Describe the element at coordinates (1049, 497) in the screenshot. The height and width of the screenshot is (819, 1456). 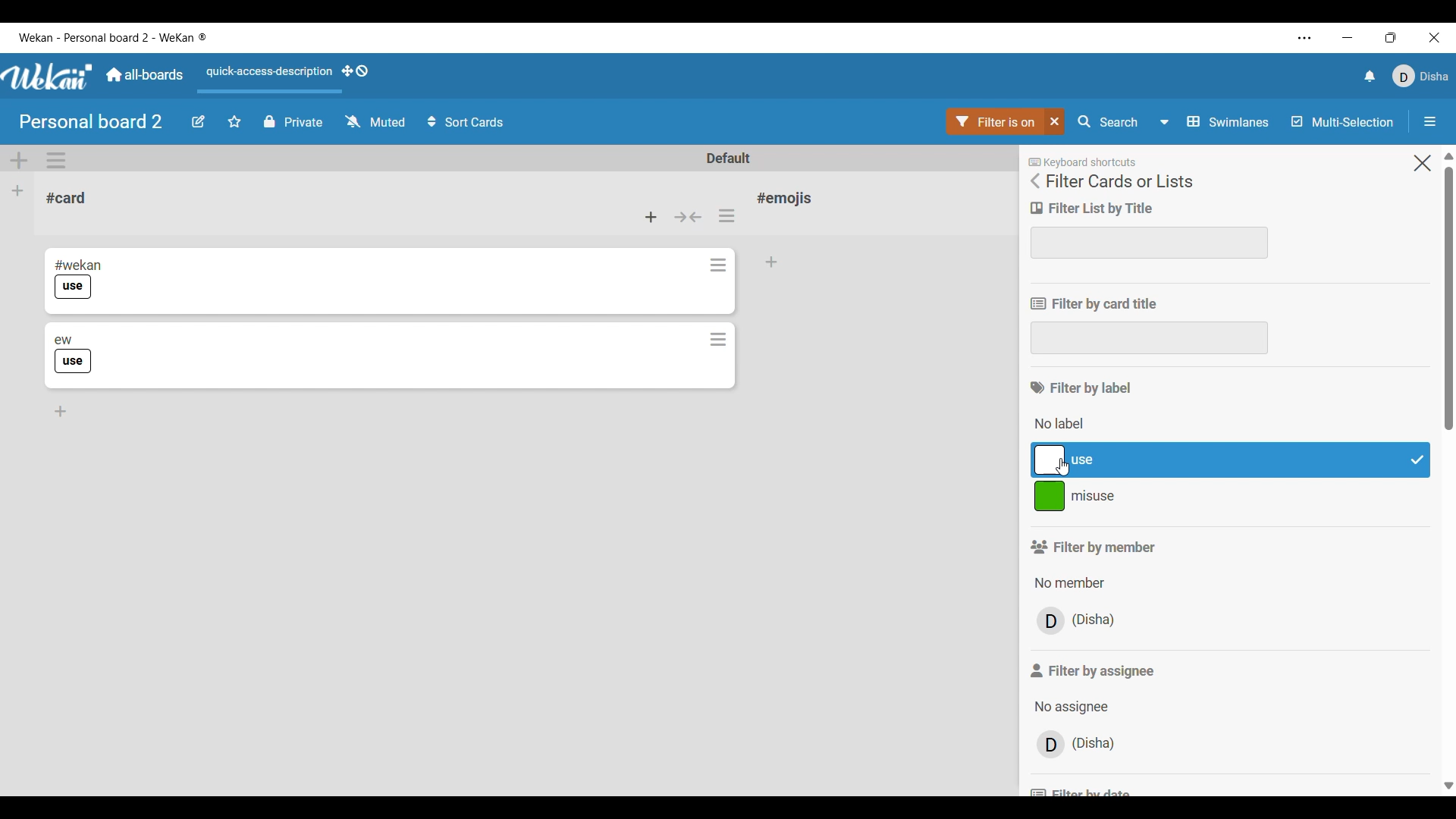
I see `color` at that location.